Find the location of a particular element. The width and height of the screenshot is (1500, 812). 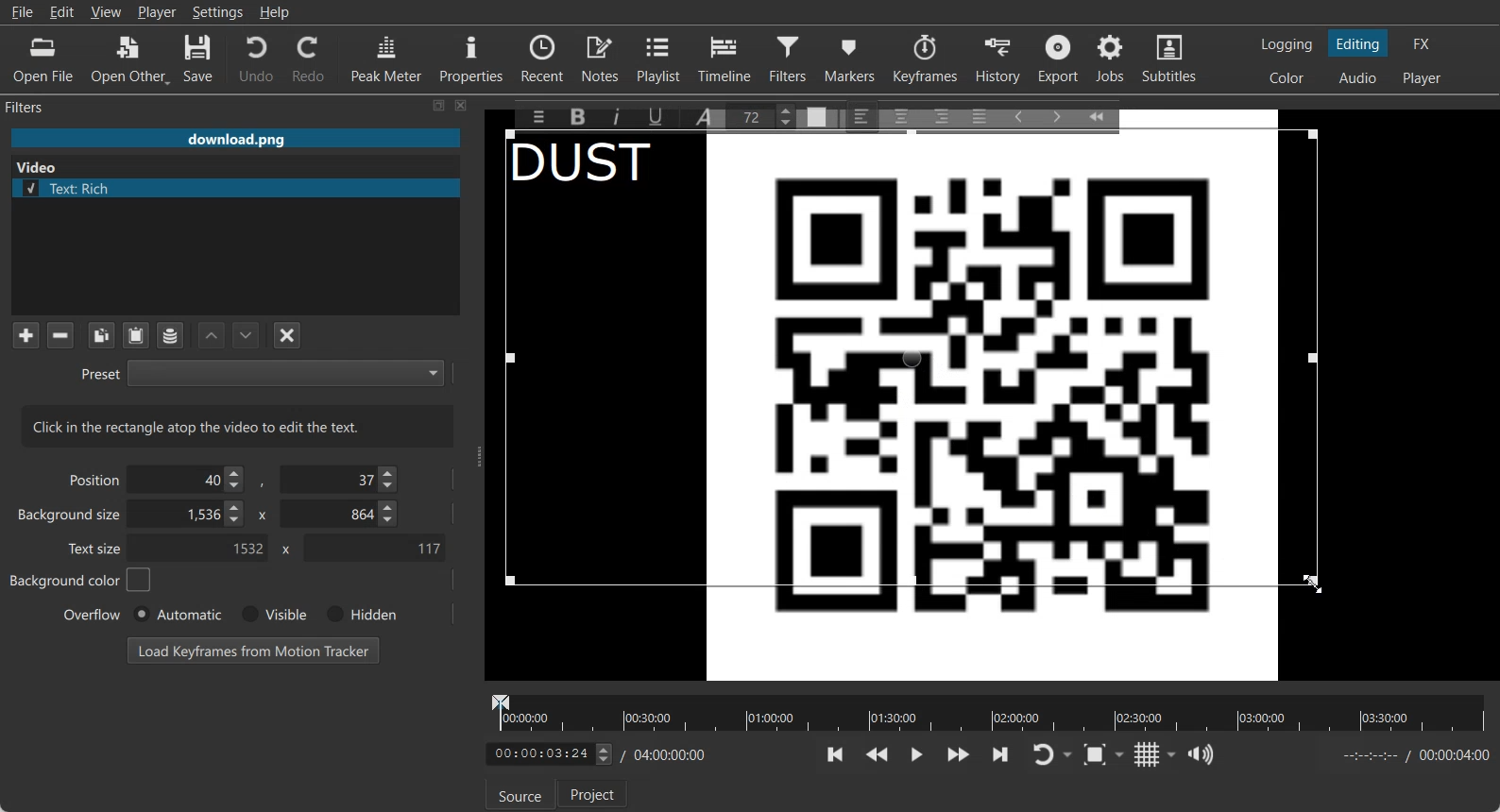

File is located at coordinates (235, 140).